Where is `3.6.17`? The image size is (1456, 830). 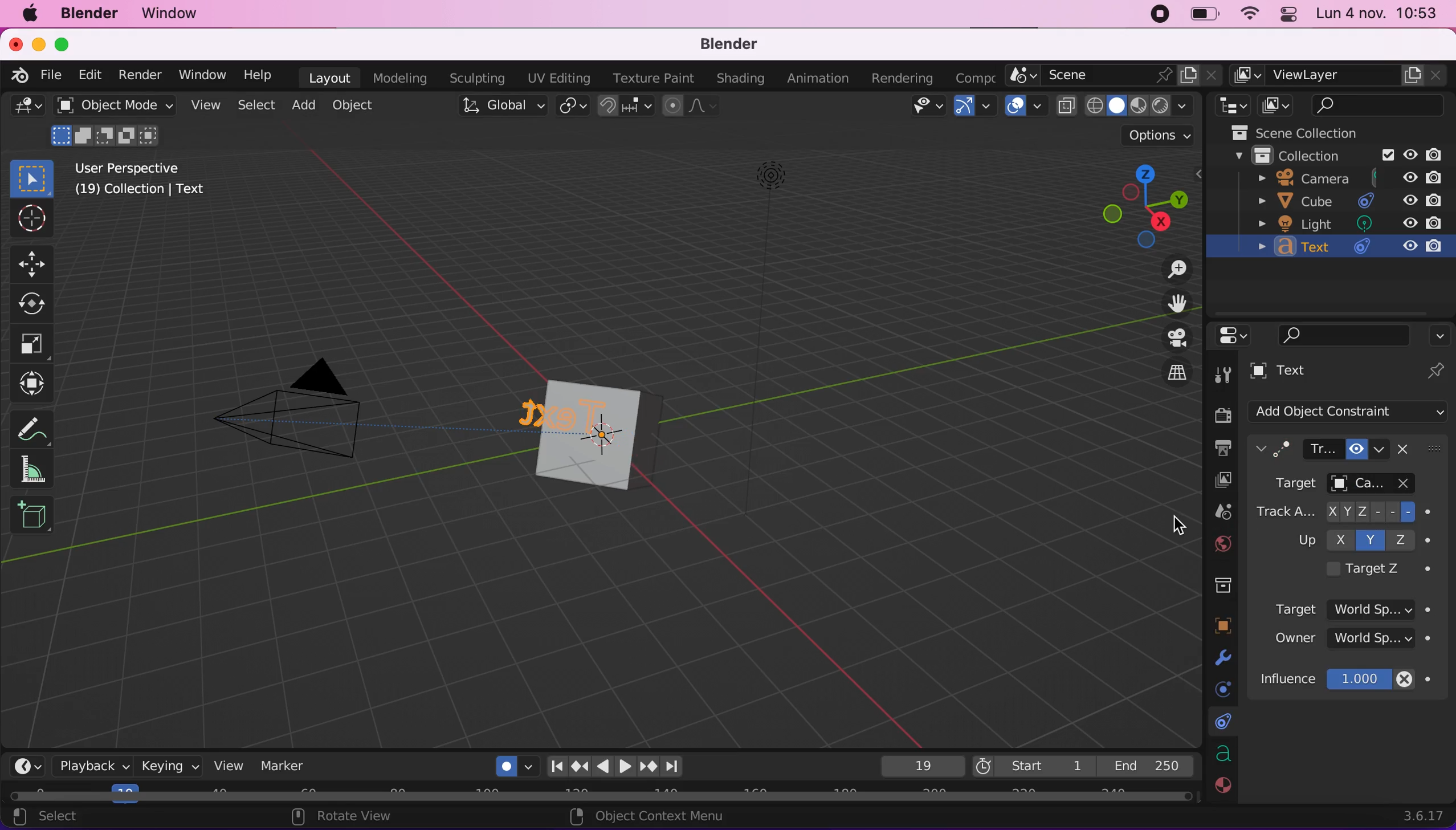
3.6.17 is located at coordinates (1418, 815).